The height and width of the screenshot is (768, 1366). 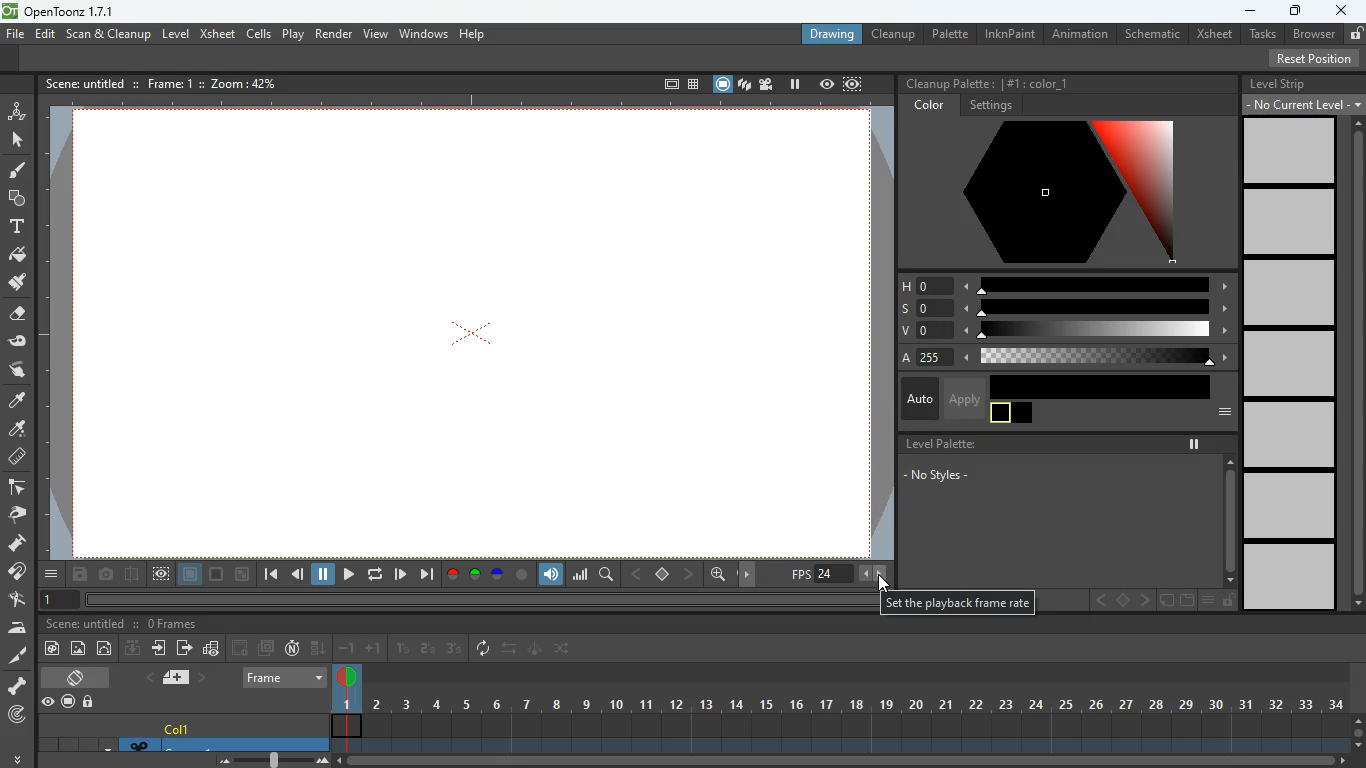 What do you see at coordinates (266, 648) in the screenshot?
I see `multiscreen` at bounding box center [266, 648].